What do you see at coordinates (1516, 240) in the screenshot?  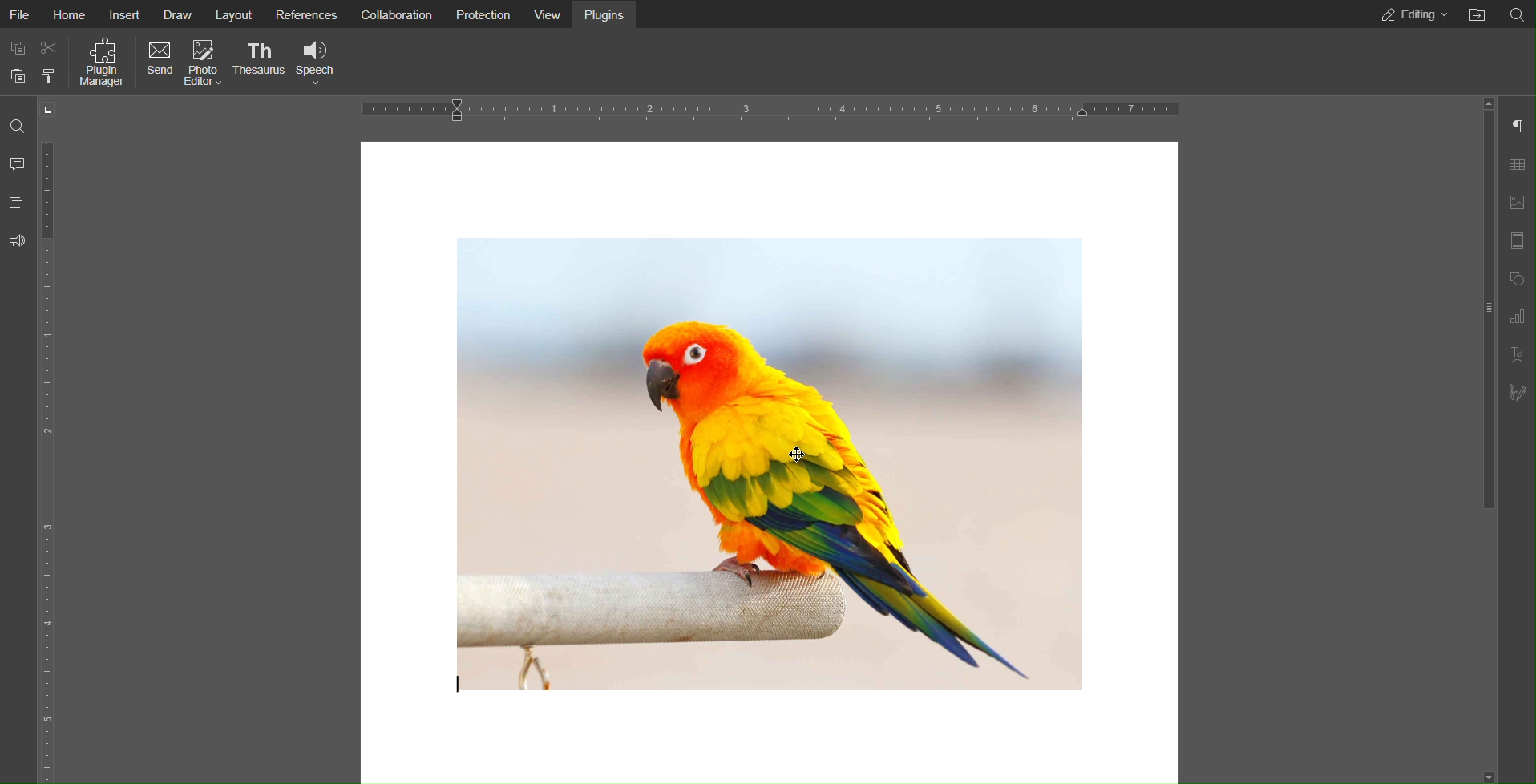 I see `Header Footer` at bounding box center [1516, 240].